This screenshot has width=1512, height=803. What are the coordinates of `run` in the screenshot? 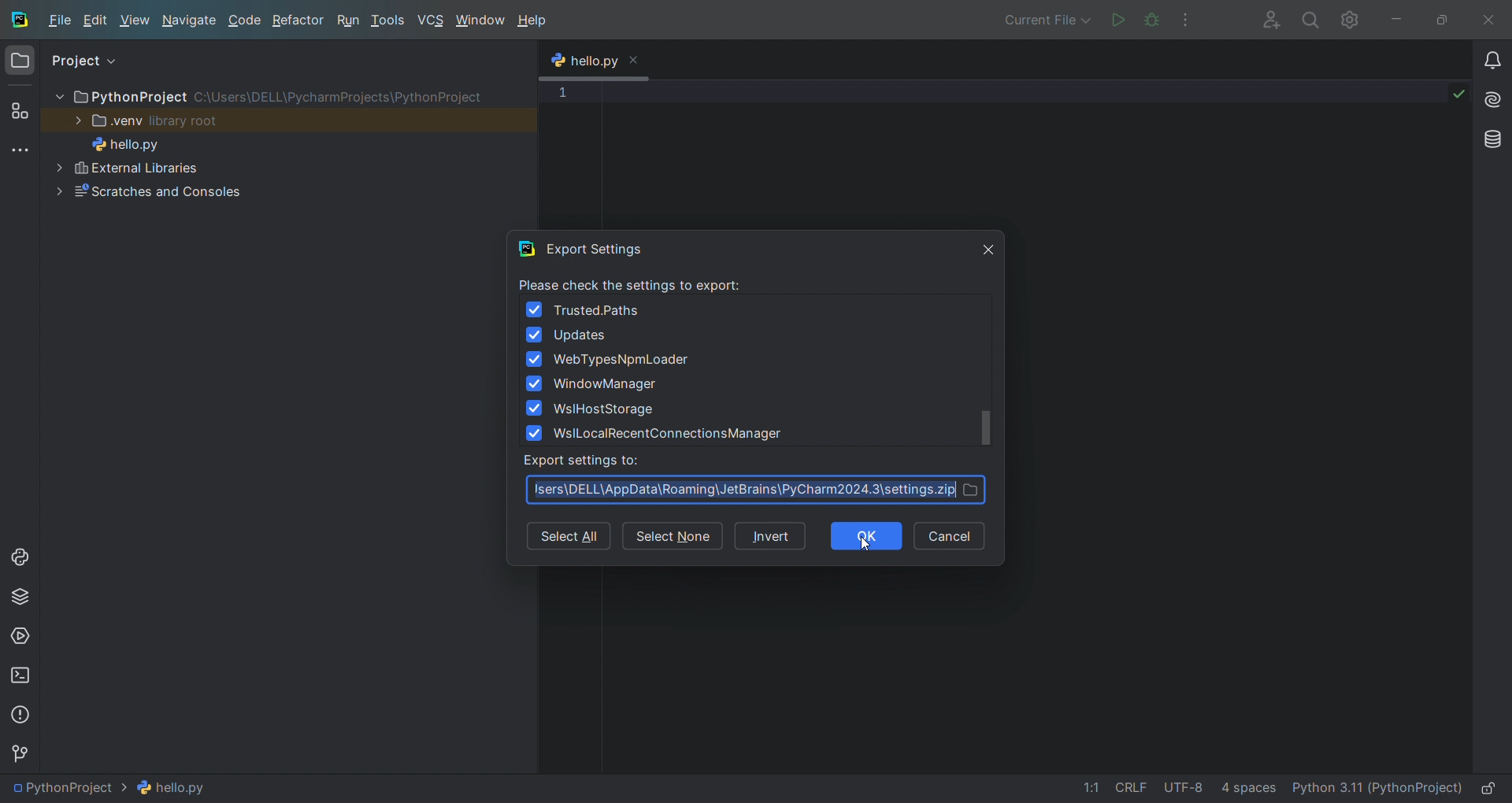 It's located at (1116, 18).